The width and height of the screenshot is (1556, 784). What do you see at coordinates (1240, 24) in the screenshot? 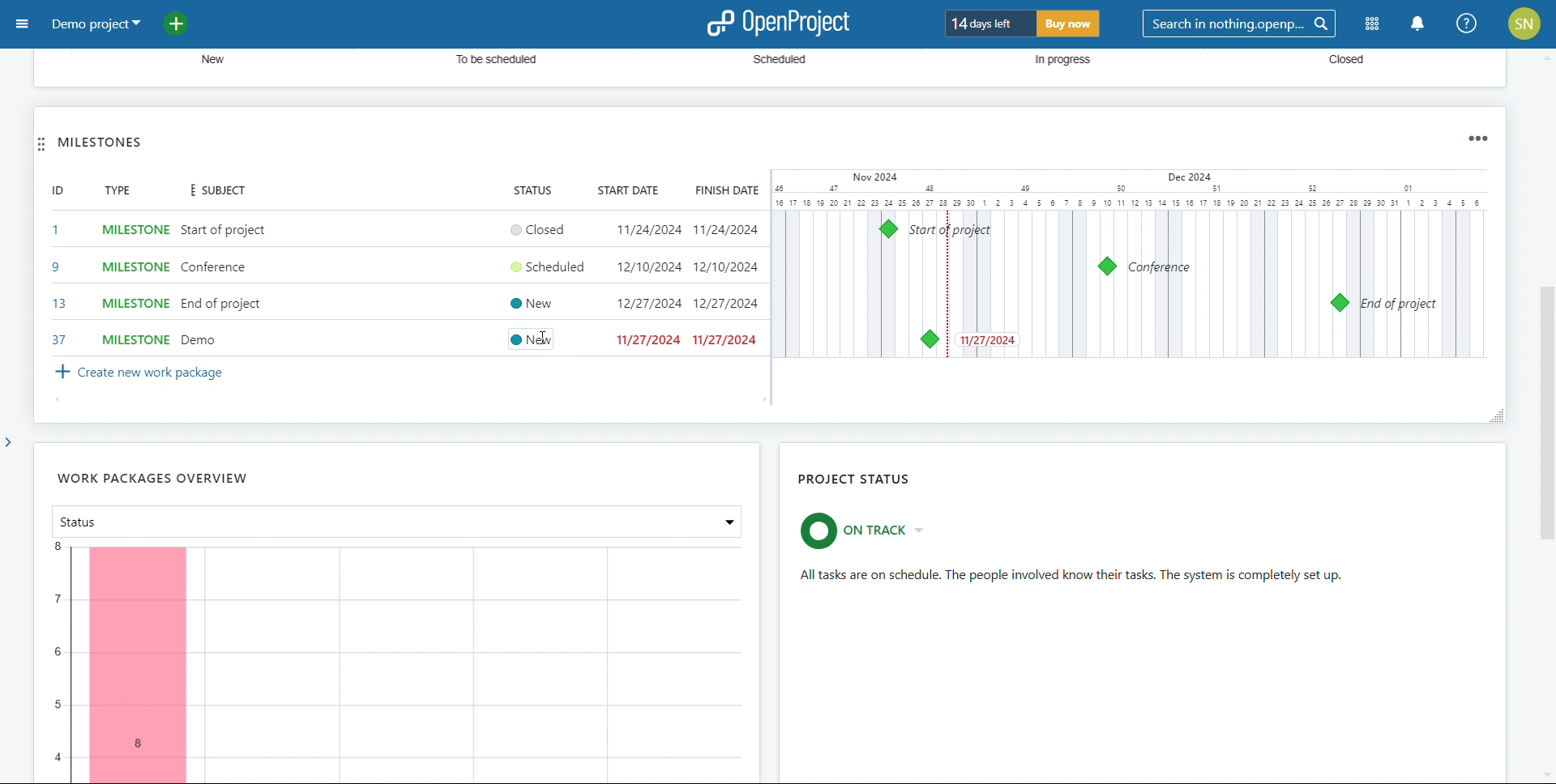
I see `search` at bounding box center [1240, 24].